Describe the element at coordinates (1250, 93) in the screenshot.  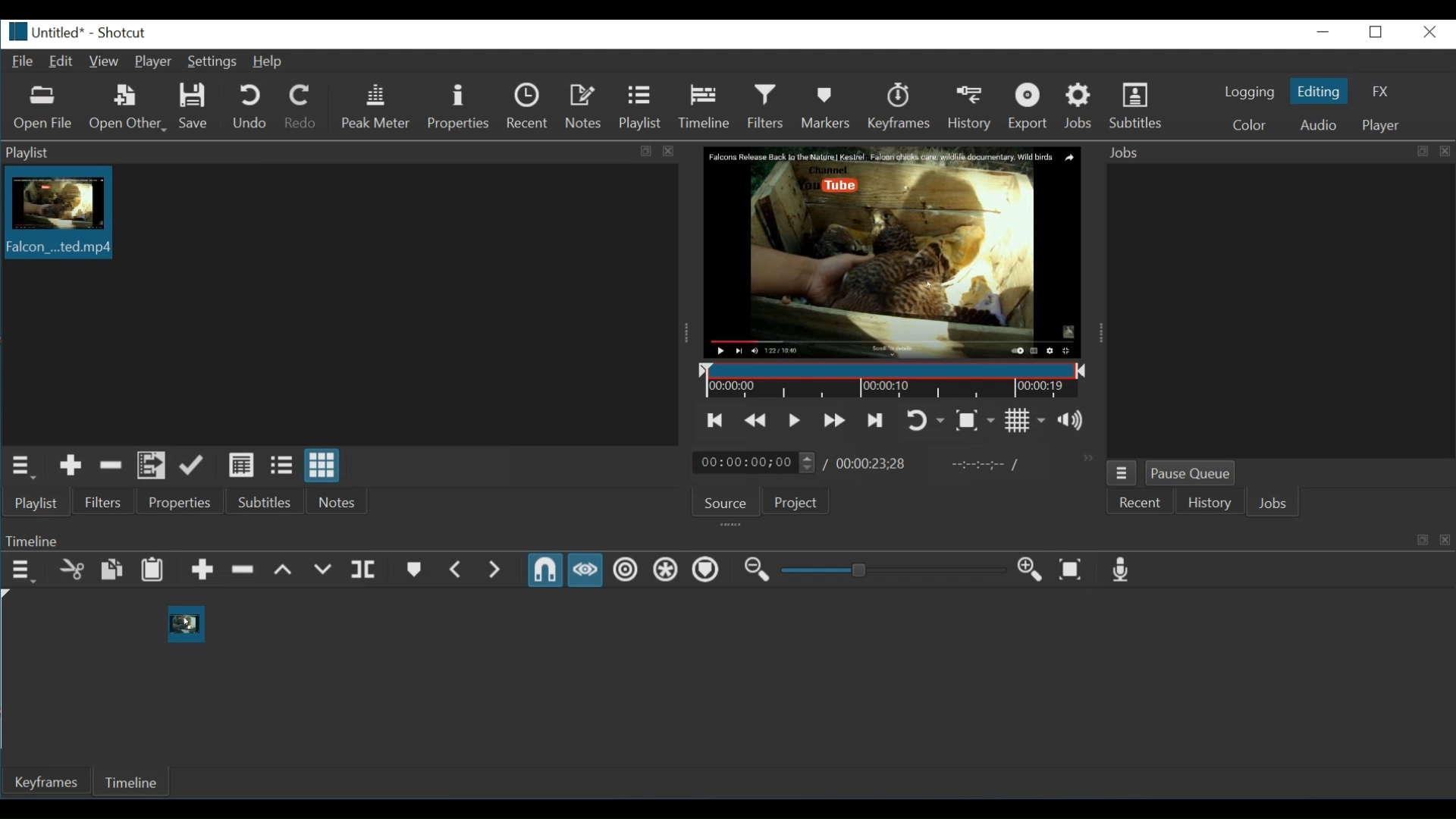
I see `logging` at that location.